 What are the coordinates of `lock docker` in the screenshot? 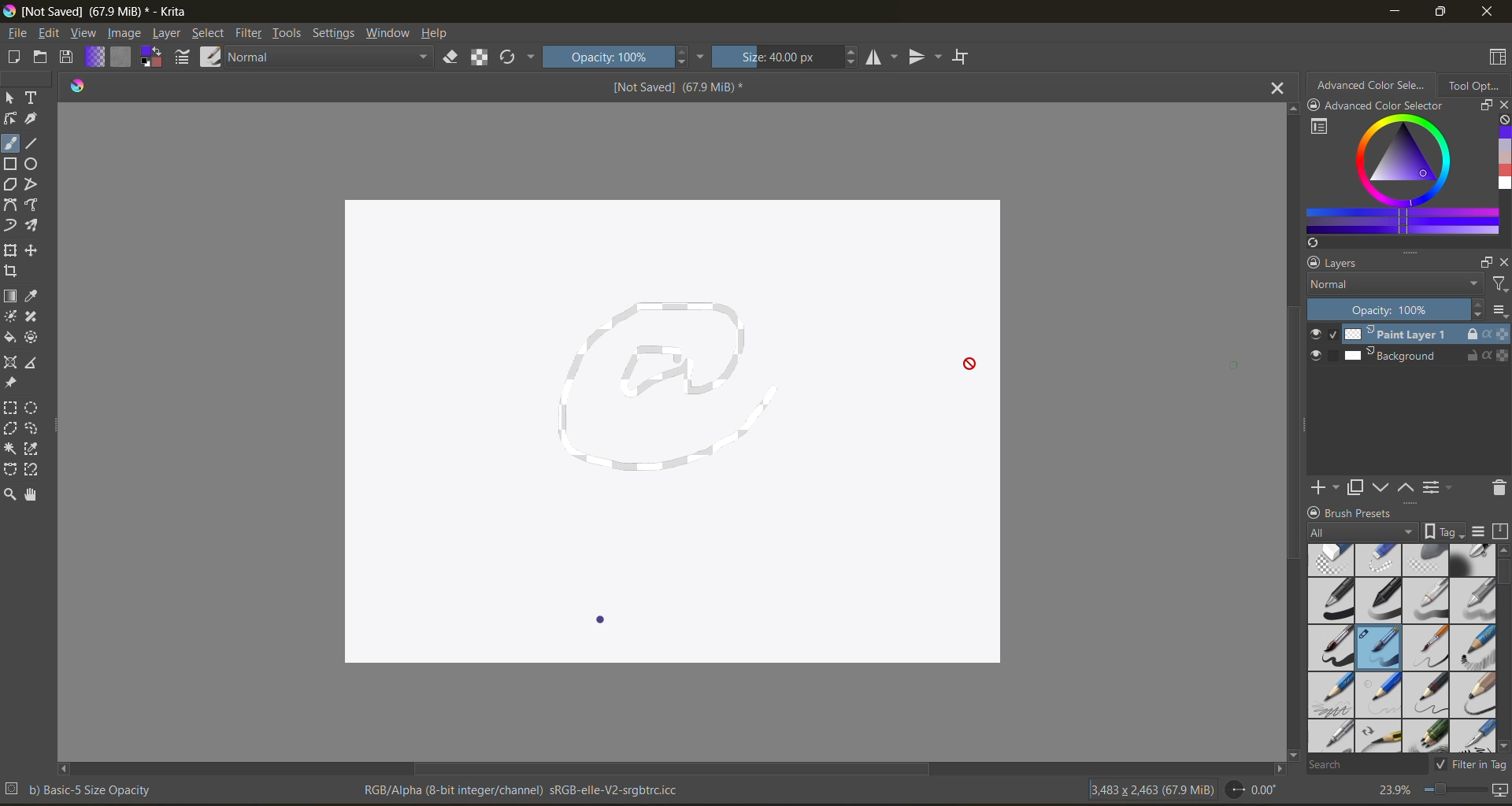 It's located at (1312, 262).